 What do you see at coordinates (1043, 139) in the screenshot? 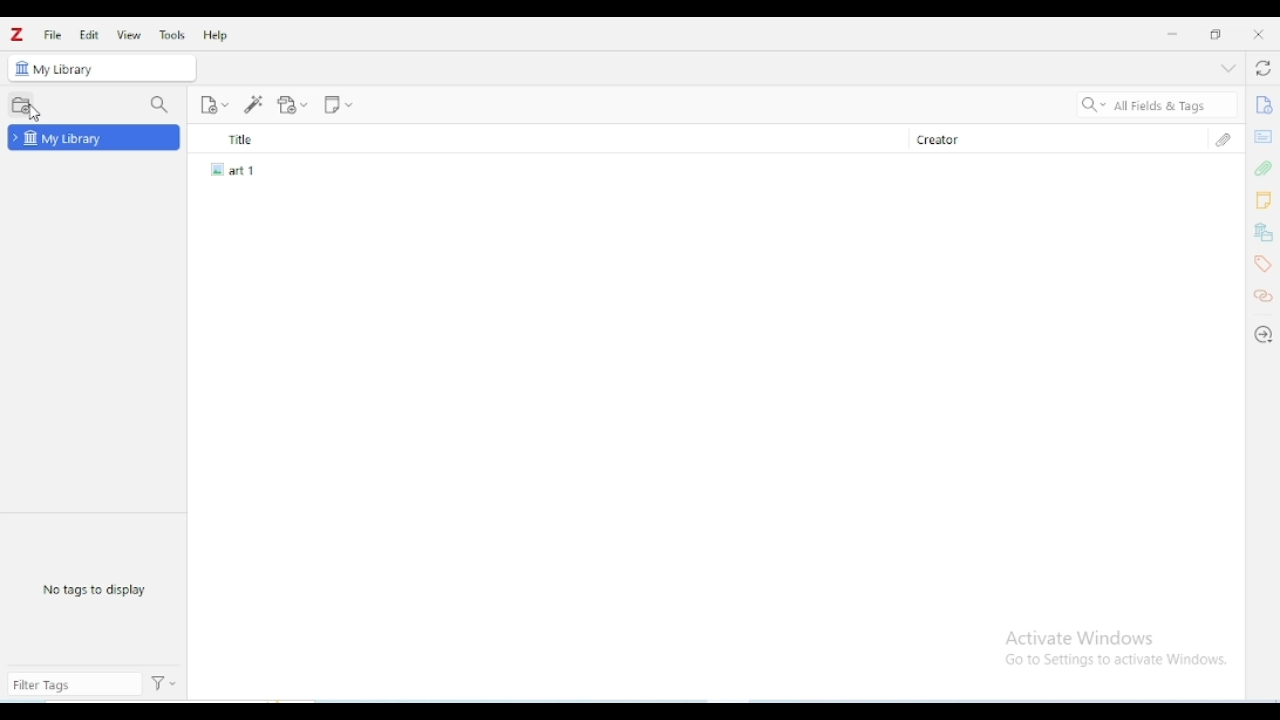
I see `creator` at bounding box center [1043, 139].